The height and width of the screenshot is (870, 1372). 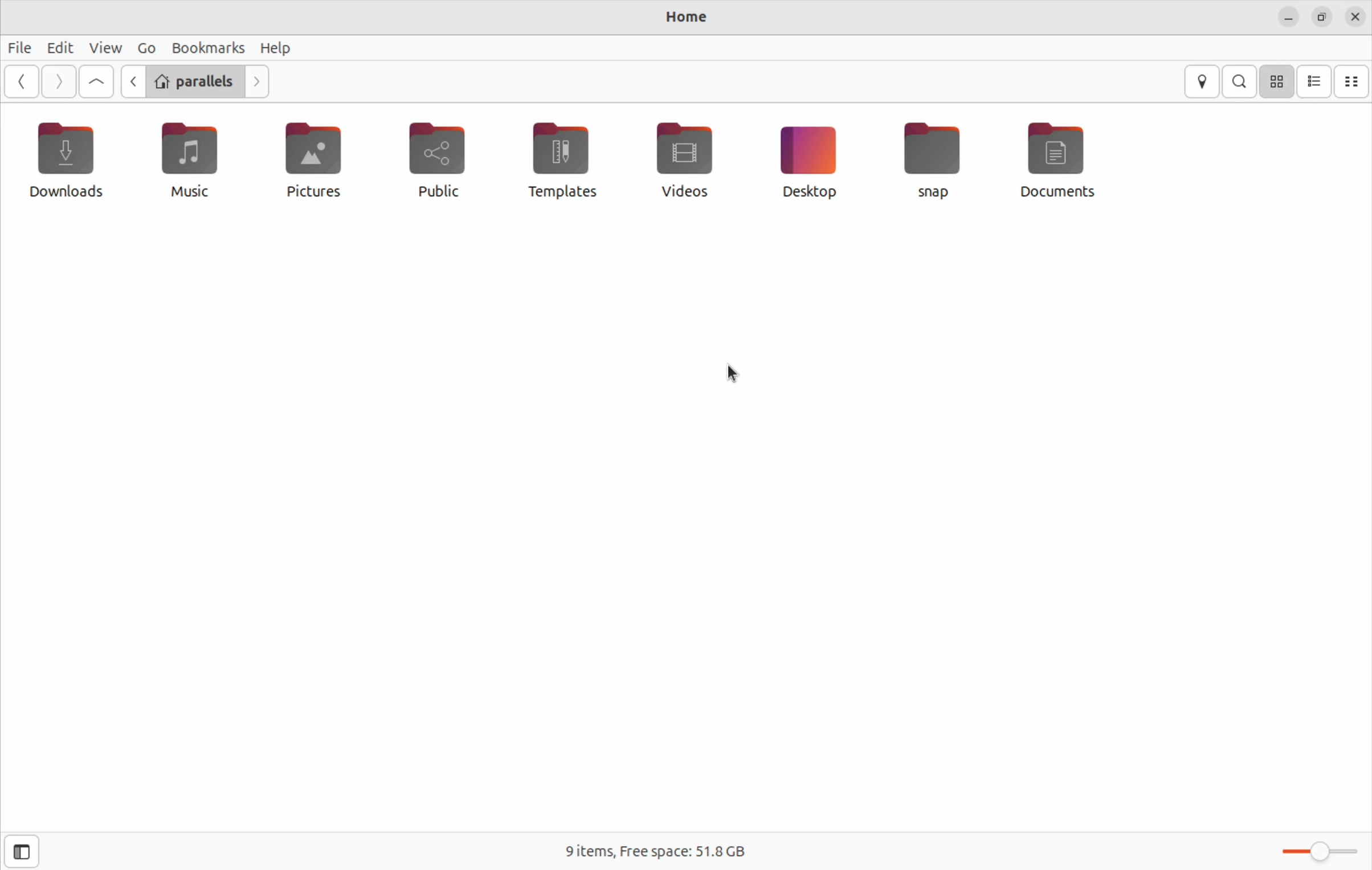 I want to click on snap, so click(x=938, y=157).